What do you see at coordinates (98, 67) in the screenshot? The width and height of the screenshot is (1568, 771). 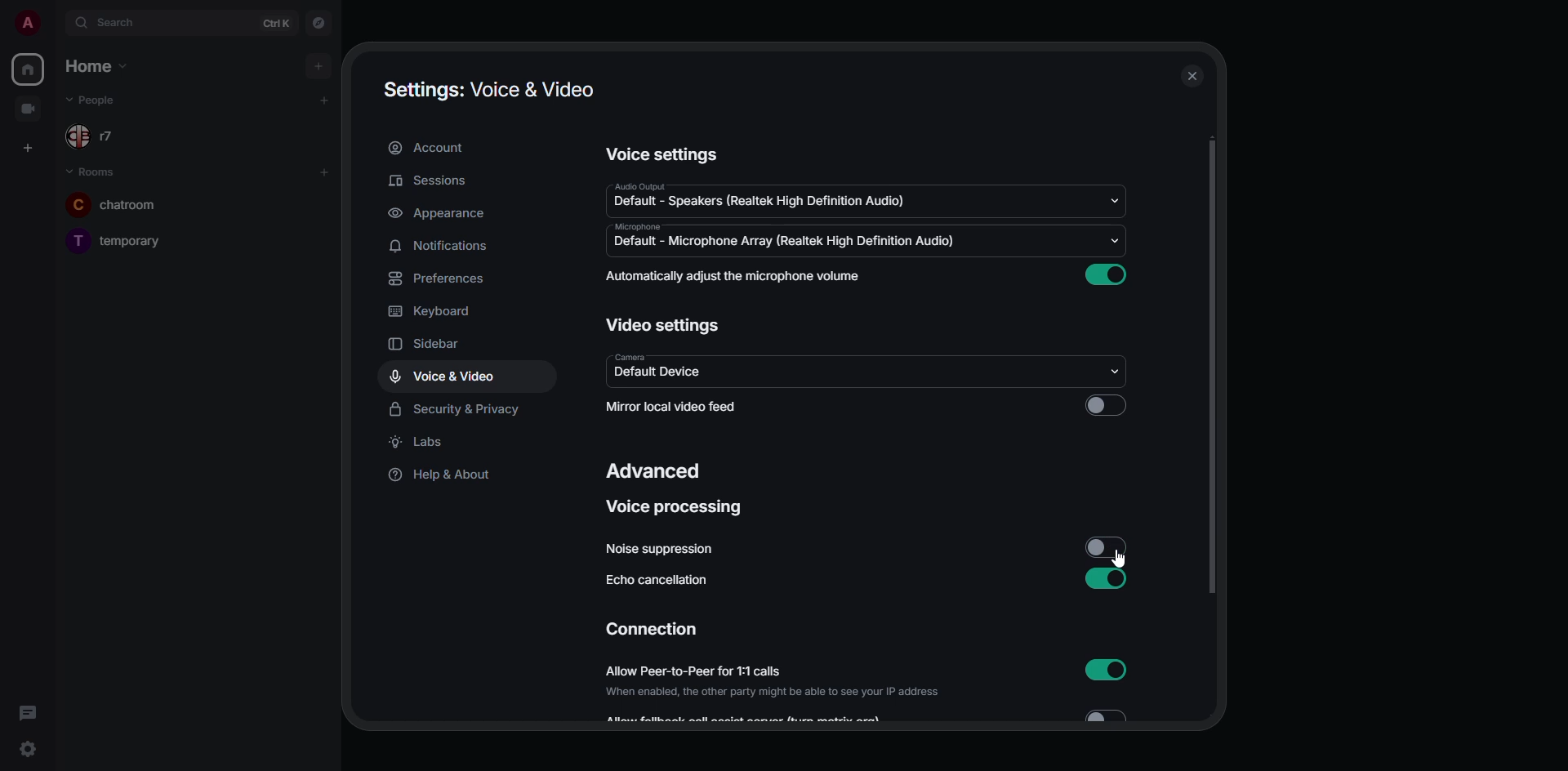 I see `home` at bounding box center [98, 67].